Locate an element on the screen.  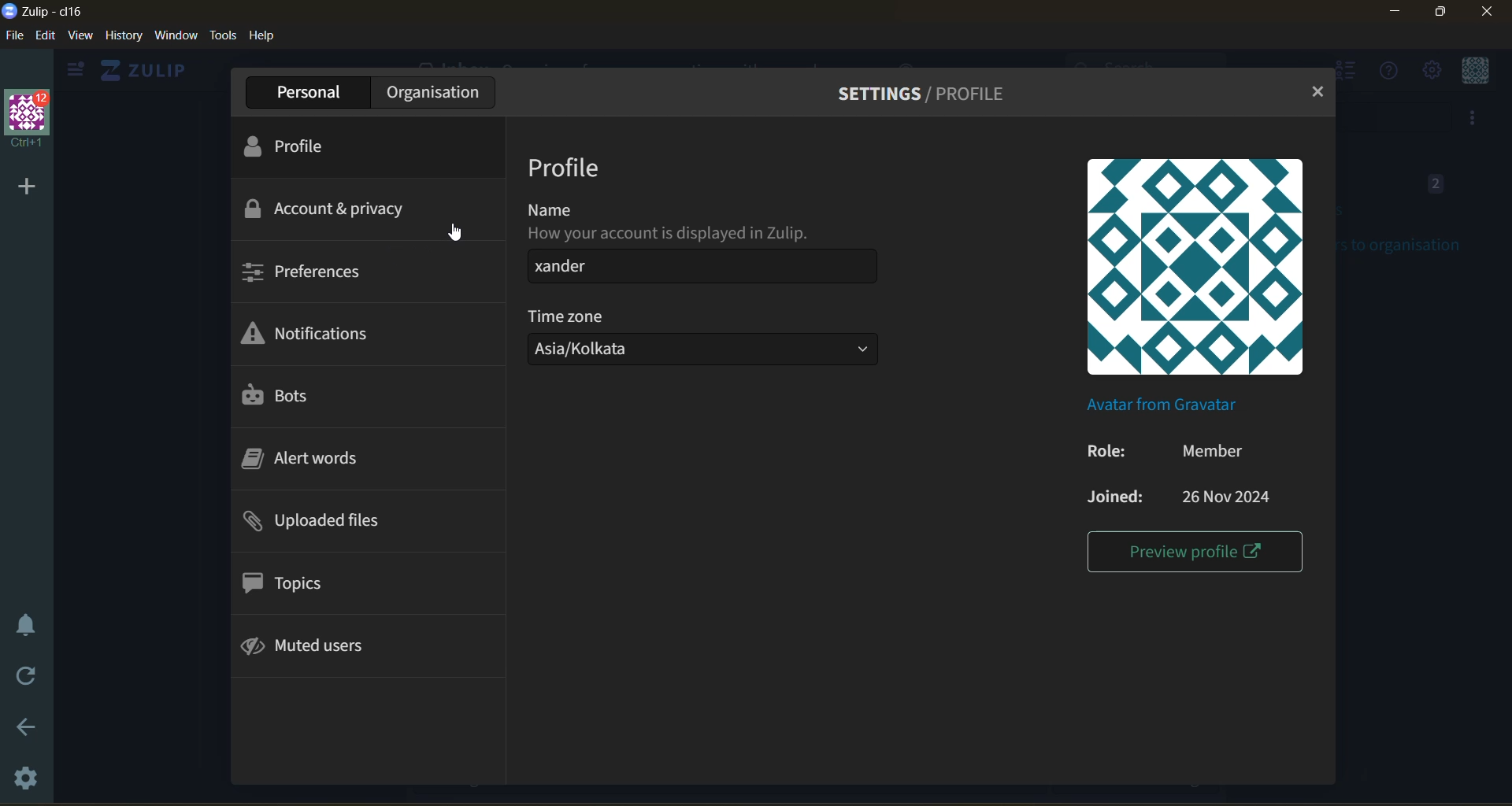
personal menu is located at coordinates (1472, 72).